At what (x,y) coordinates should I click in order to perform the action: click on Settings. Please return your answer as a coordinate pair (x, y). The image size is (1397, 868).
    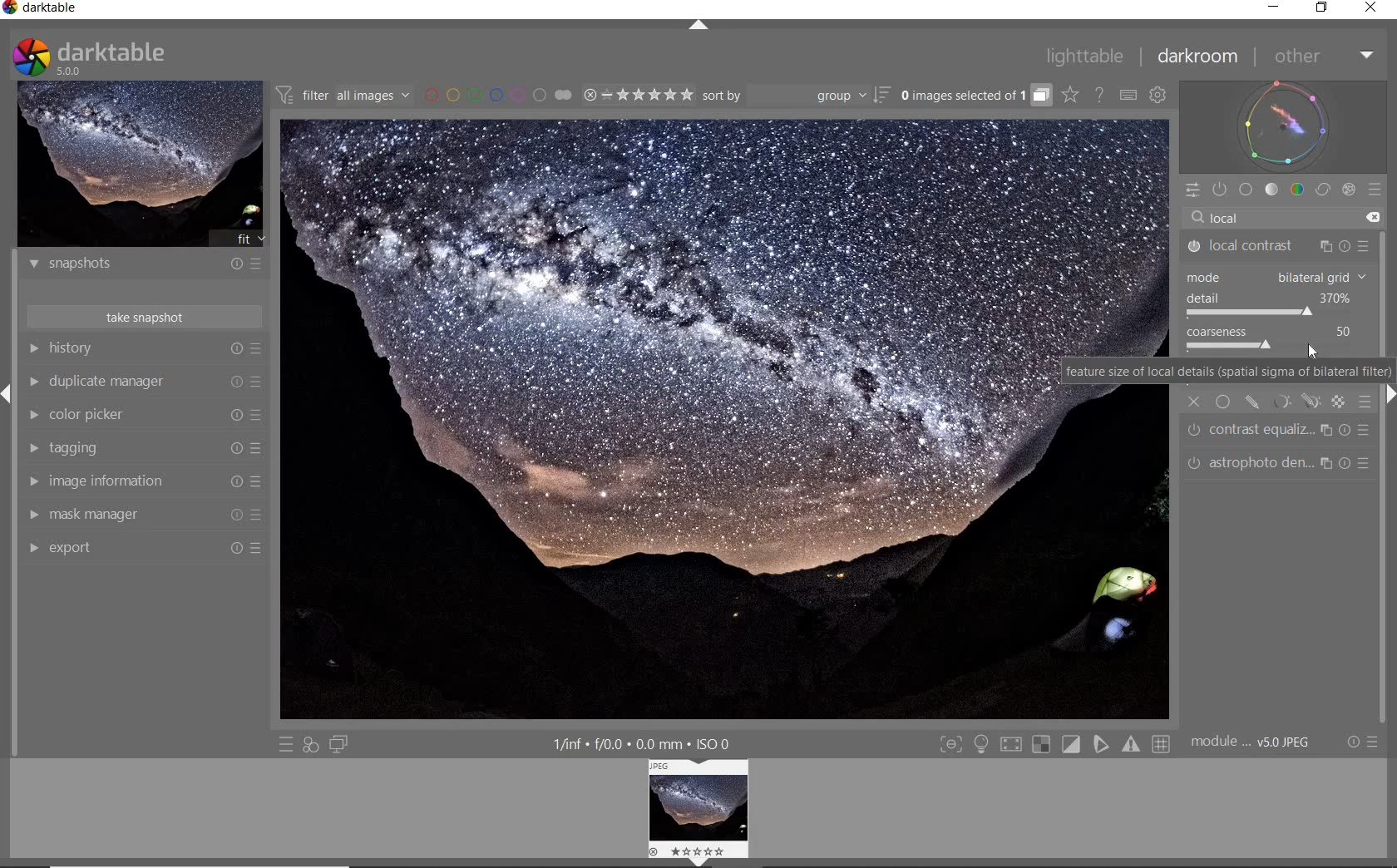
    Looking at the image, I should click on (1352, 742).